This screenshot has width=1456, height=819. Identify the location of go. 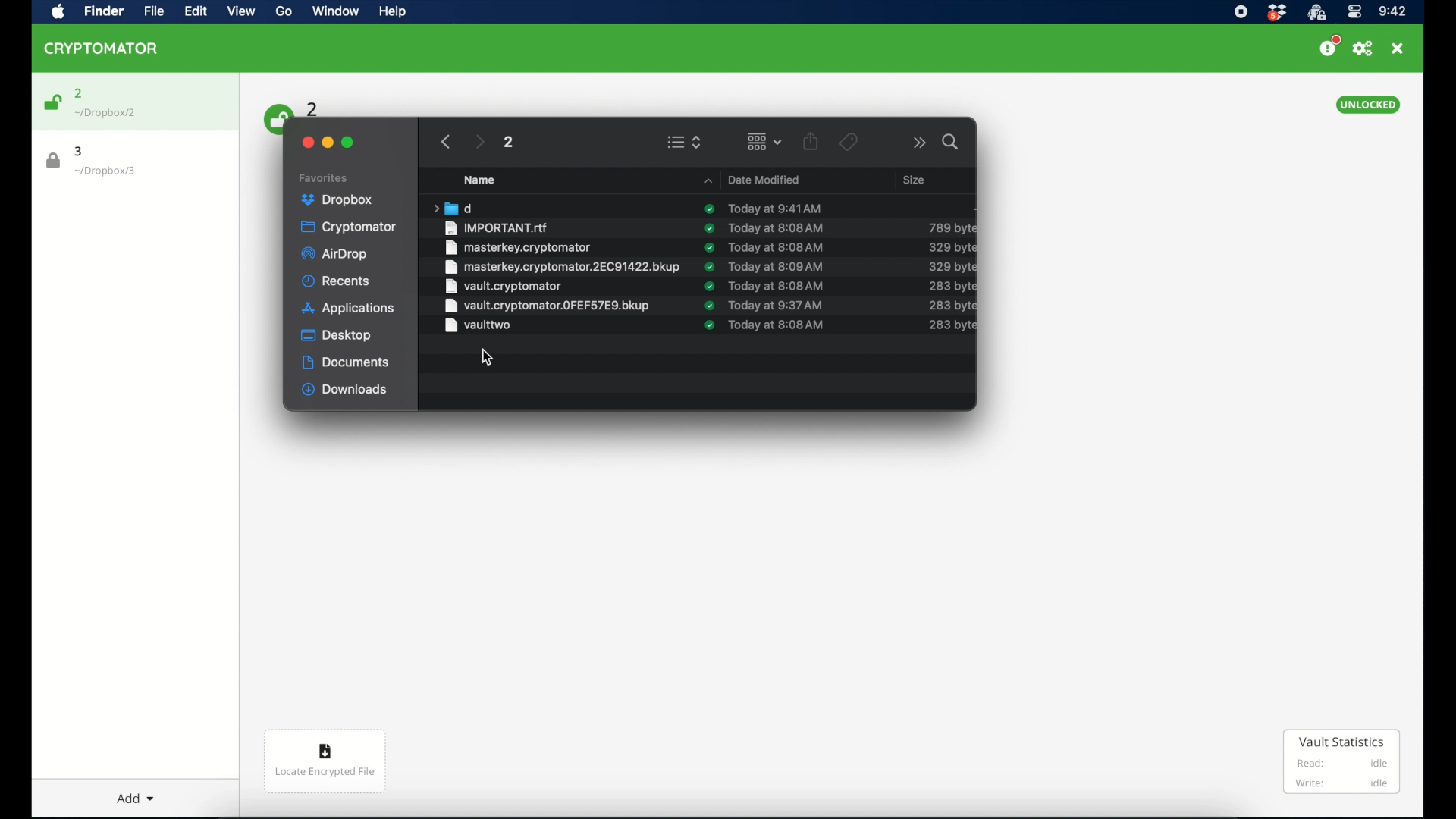
(282, 11).